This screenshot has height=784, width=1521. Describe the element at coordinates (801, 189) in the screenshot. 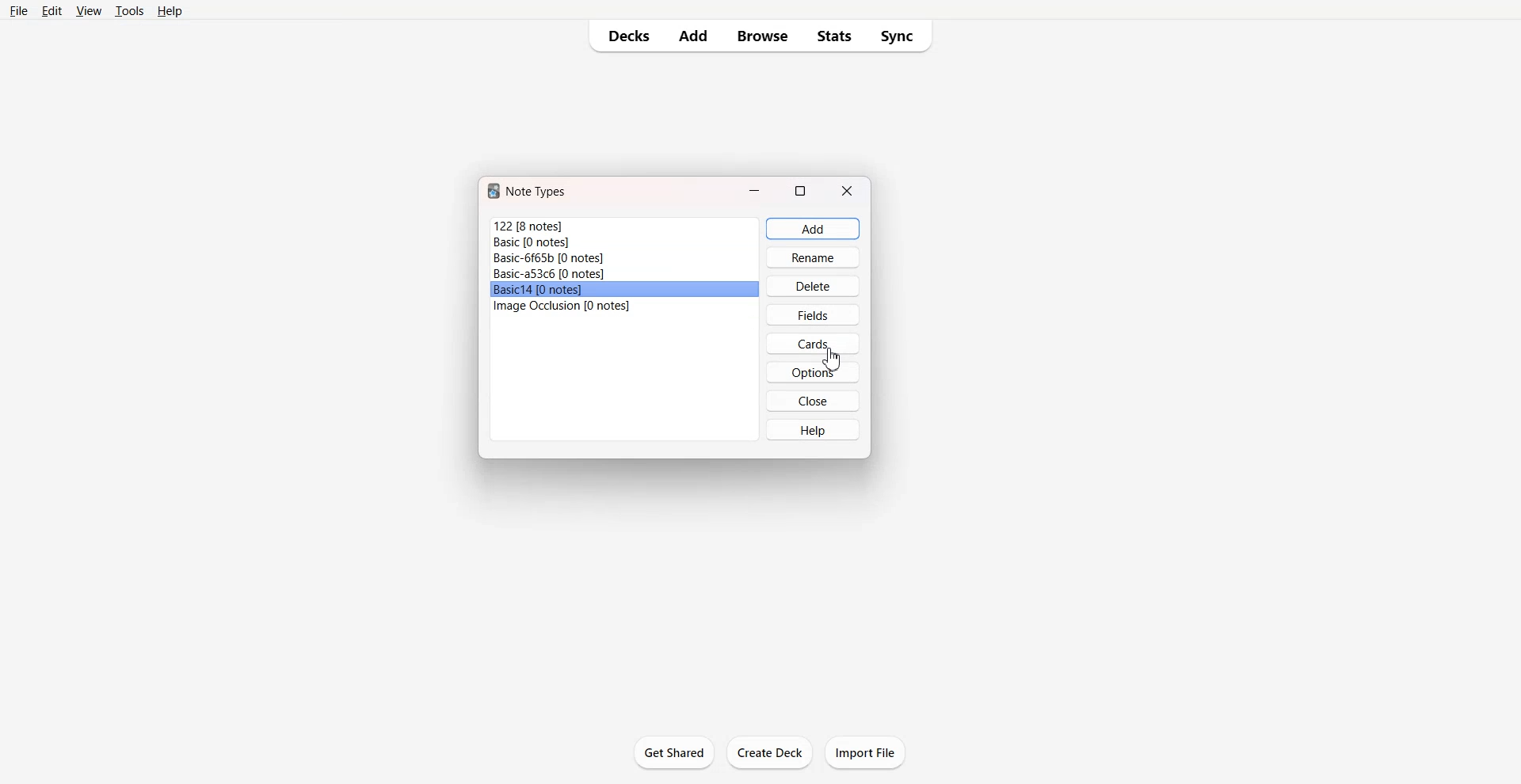

I see `Maximize` at that location.